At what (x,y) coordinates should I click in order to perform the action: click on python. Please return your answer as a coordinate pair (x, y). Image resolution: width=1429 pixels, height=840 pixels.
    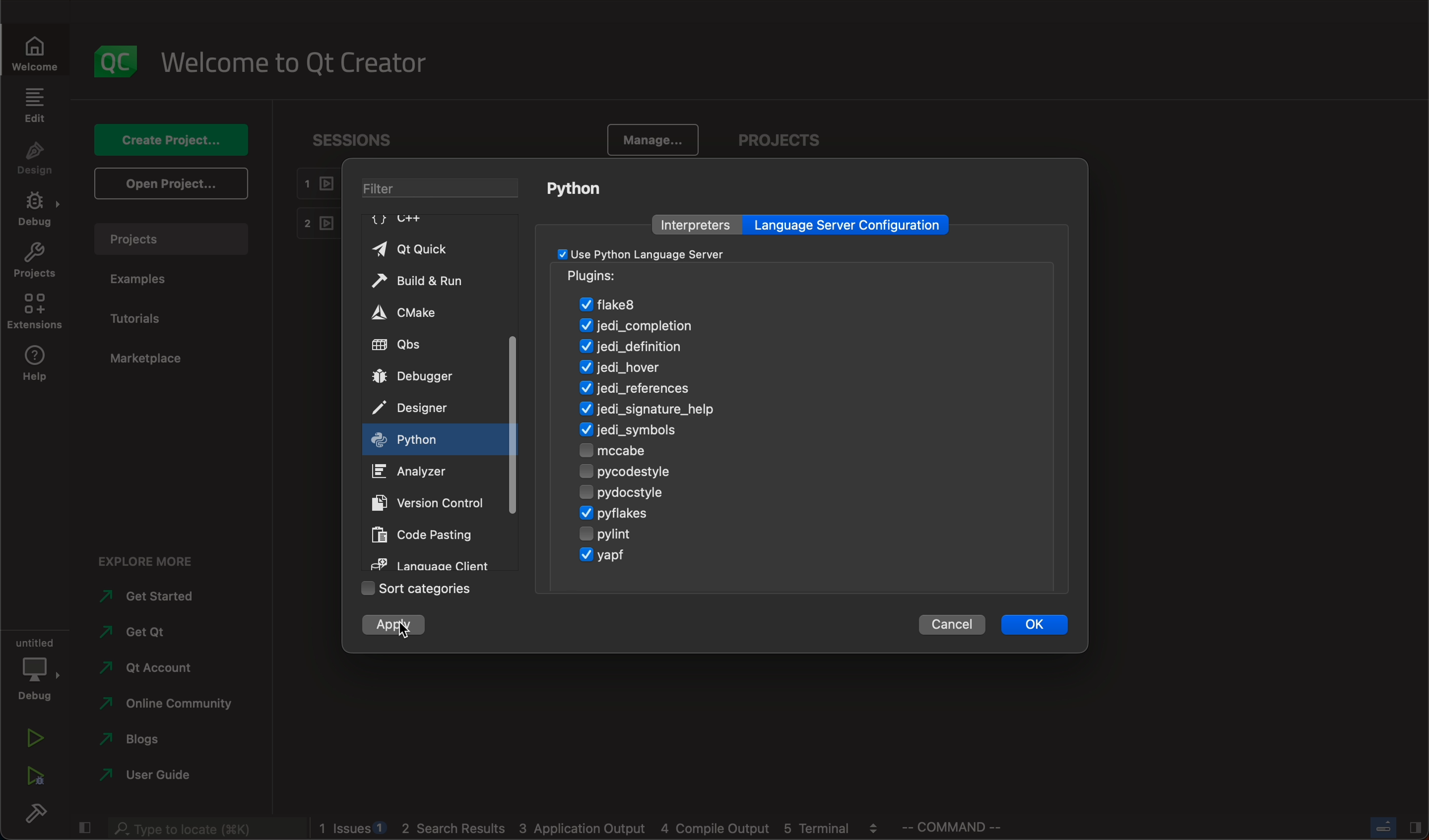
    Looking at the image, I should click on (576, 190).